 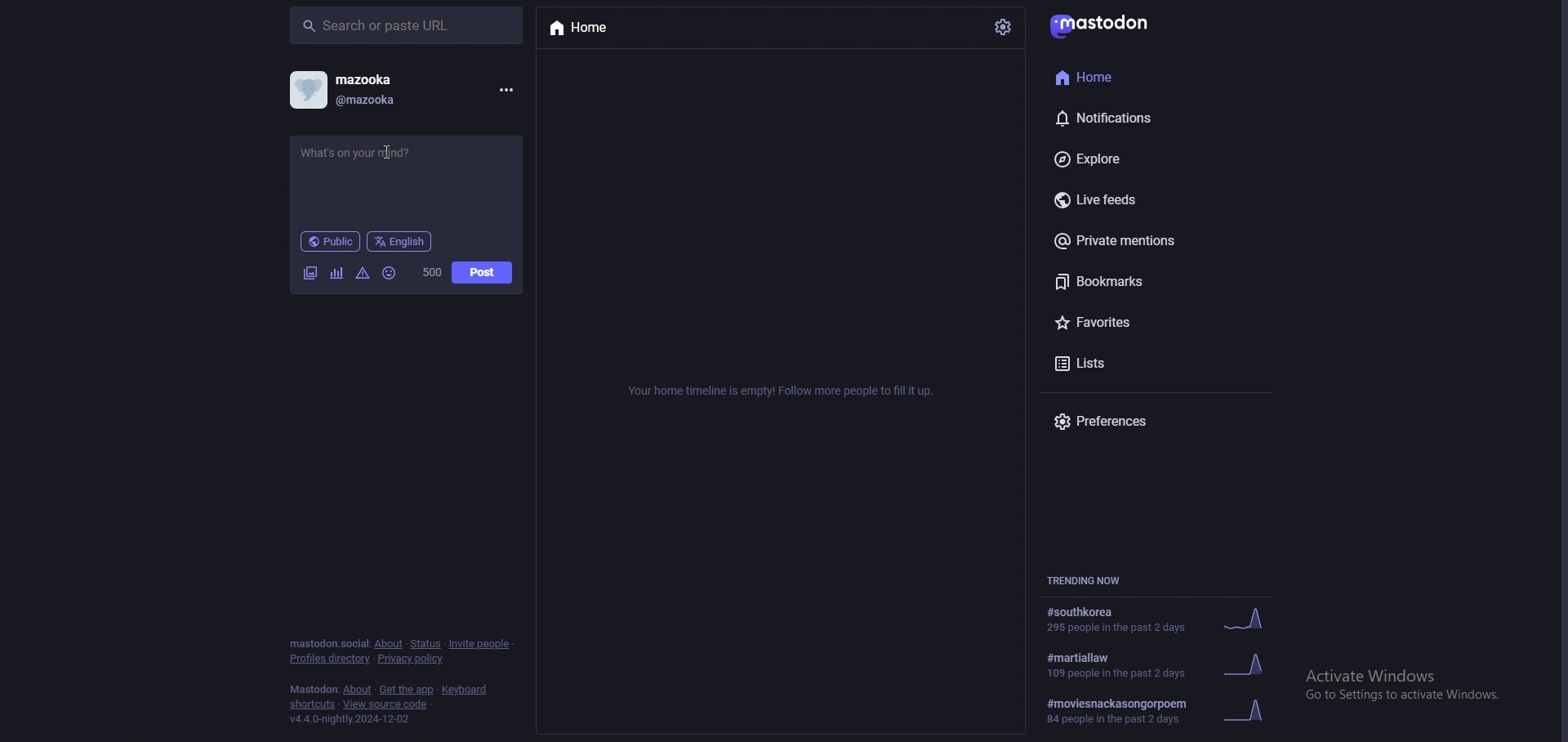 I want to click on home, so click(x=1116, y=77).